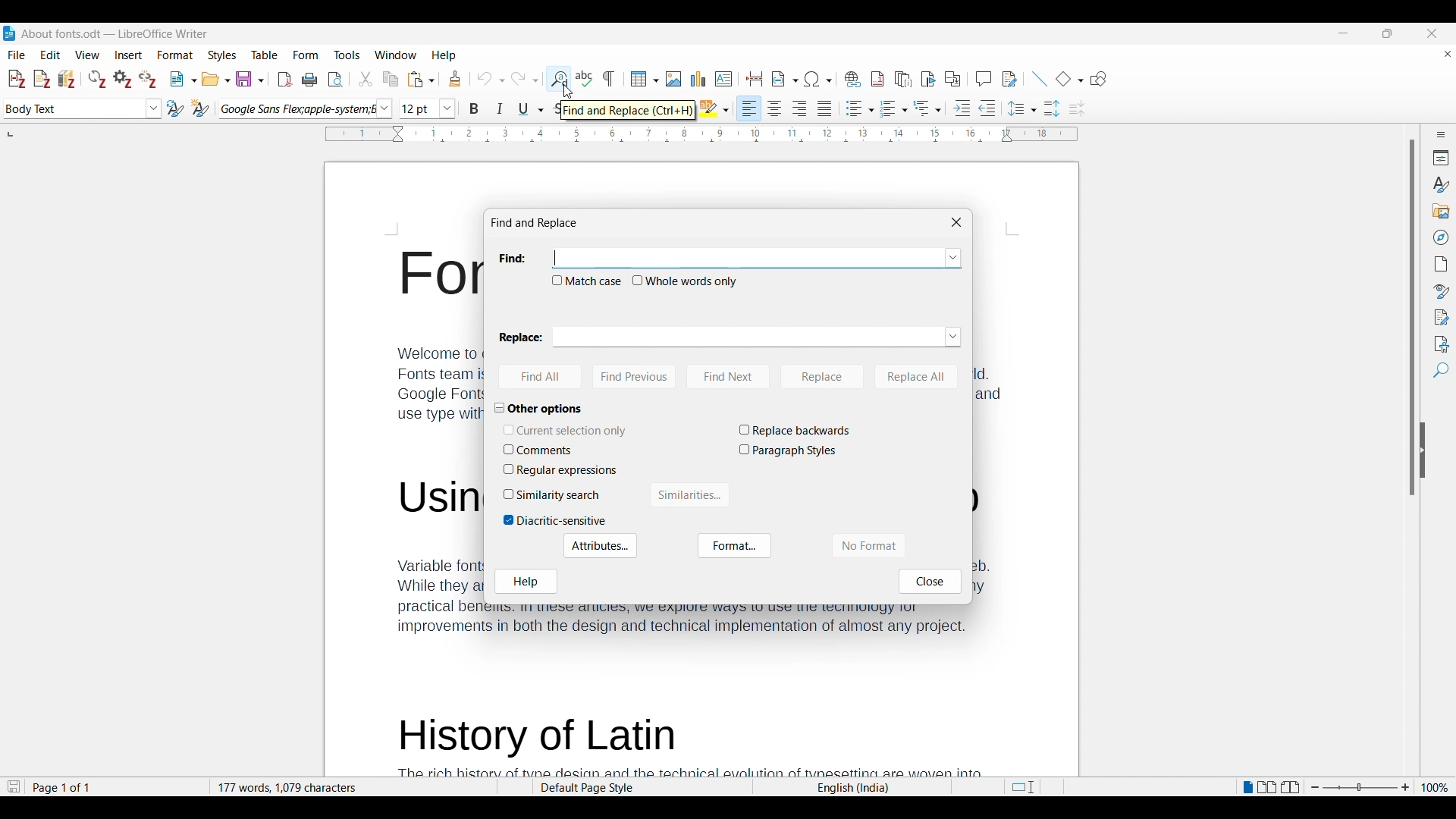 The height and width of the screenshot is (819, 1456). I want to click on Insert text box, so click(724, 79).